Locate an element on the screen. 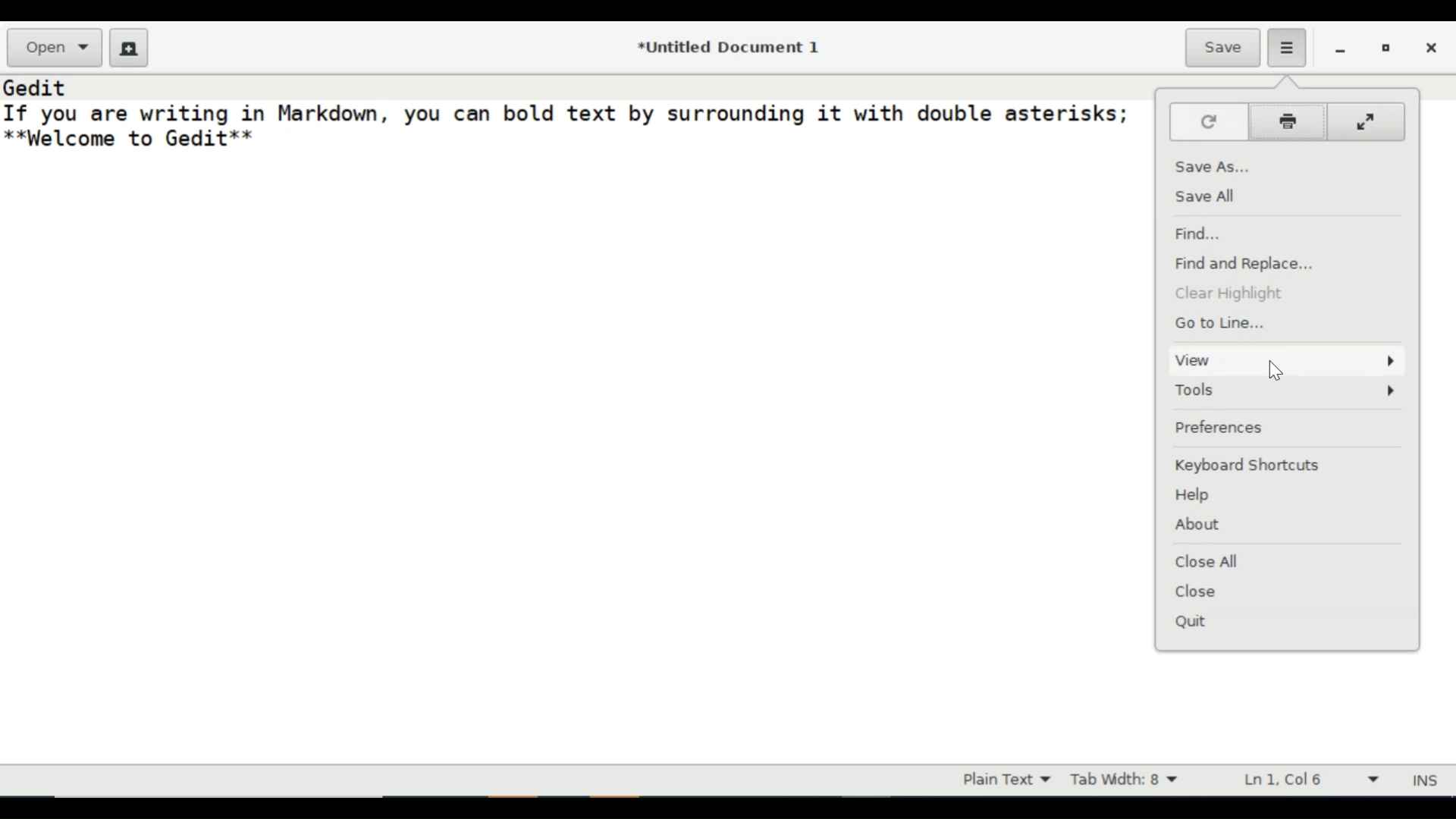  close is located at coordinates (1431, 47).